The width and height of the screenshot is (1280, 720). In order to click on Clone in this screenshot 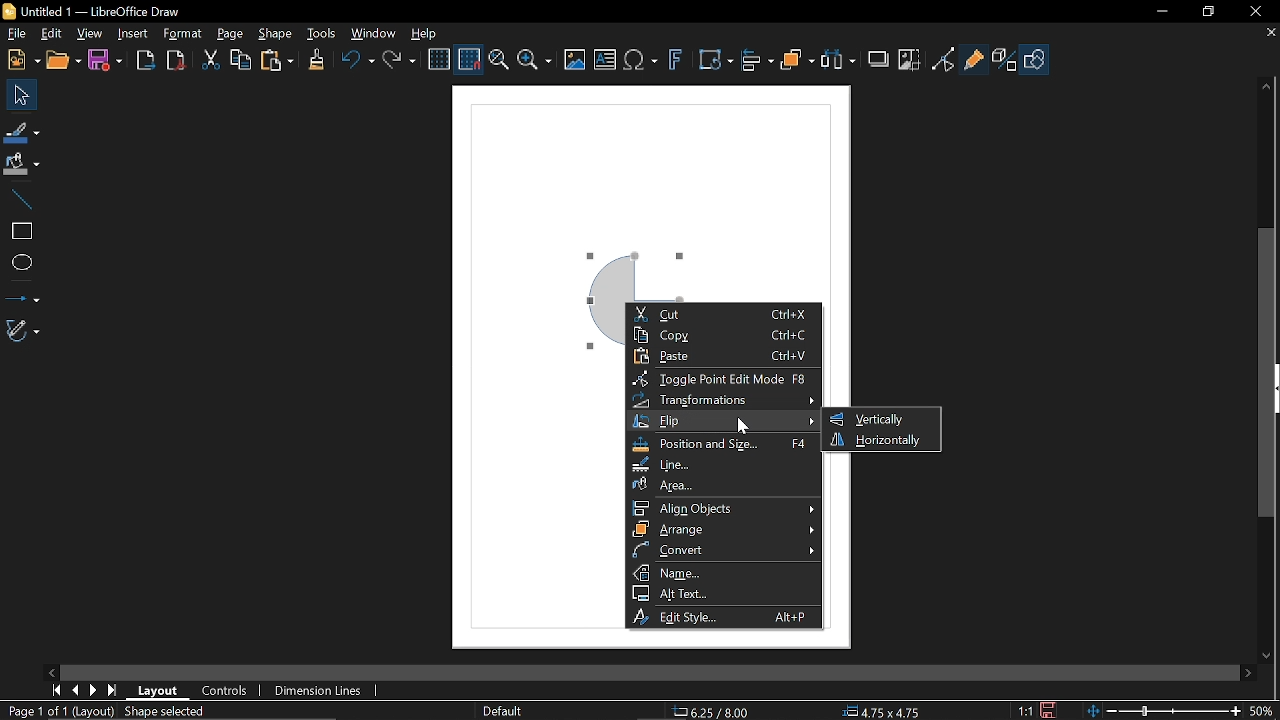, I will do `click(316, 61)`.